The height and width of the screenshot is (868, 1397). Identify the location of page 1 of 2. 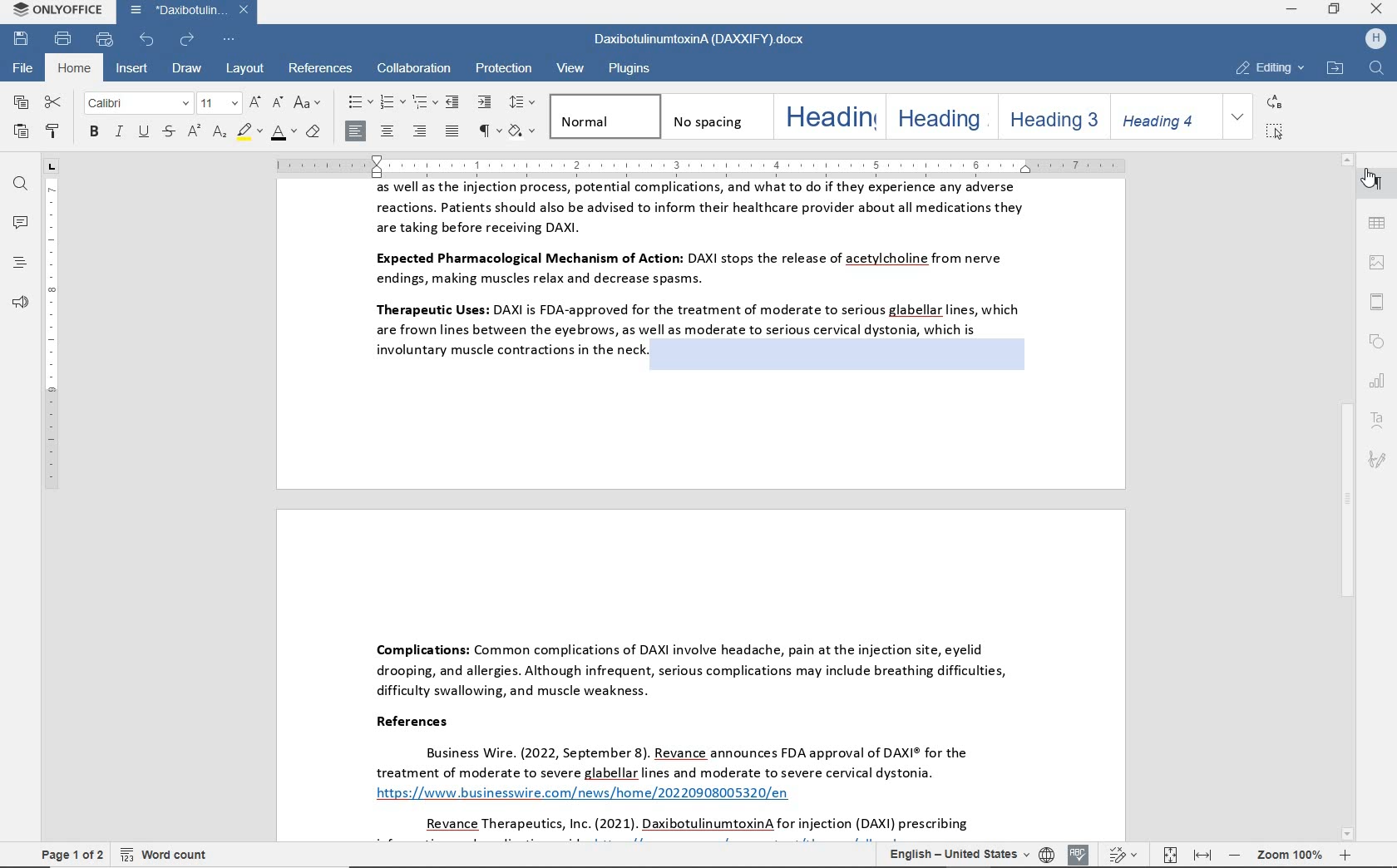
(72, 853).